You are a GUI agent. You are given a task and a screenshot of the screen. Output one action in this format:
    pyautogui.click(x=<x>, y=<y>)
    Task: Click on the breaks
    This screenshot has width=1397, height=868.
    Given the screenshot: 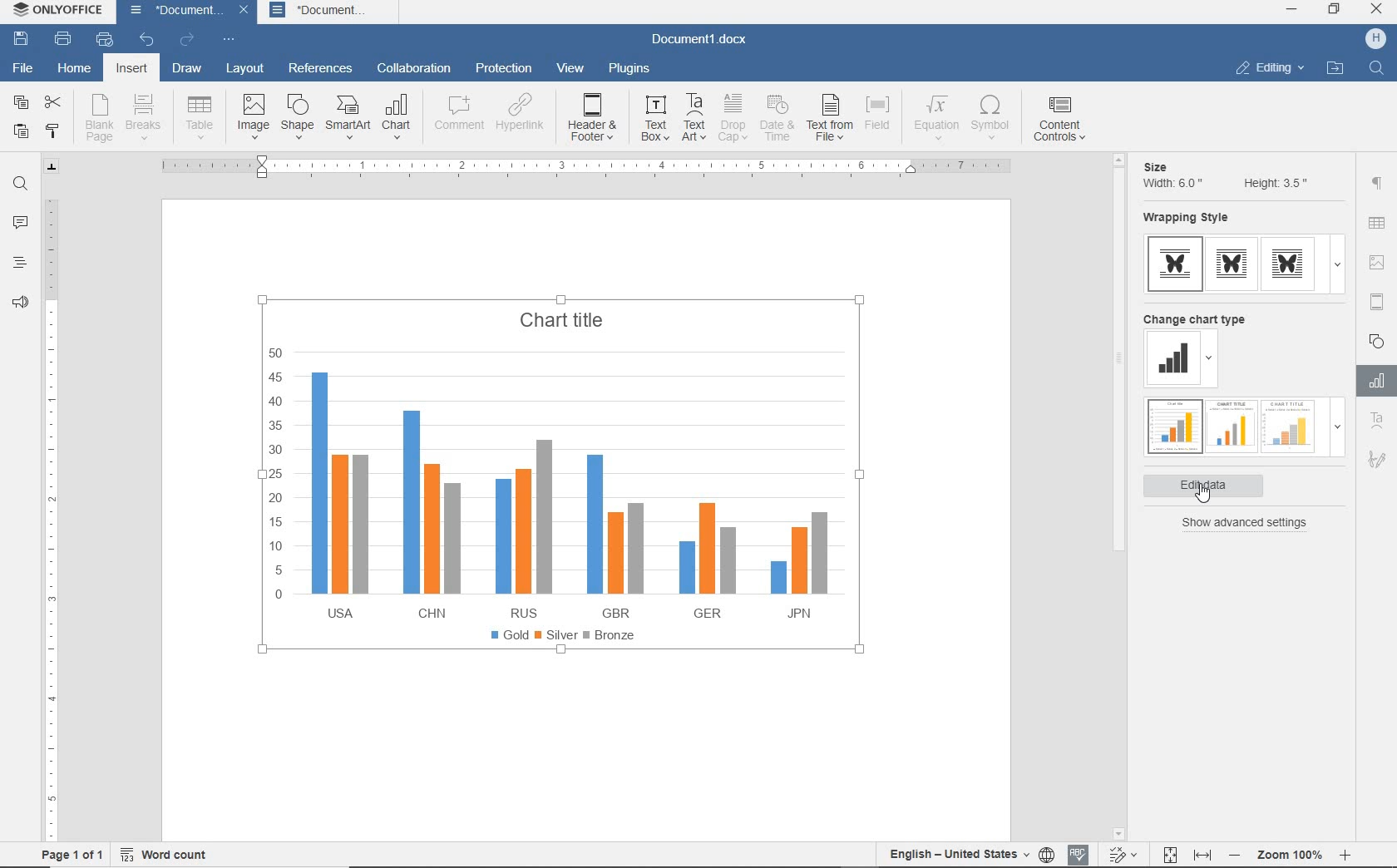 What is the action you would take?
    pyautogui.click(x=146, y=117)
    